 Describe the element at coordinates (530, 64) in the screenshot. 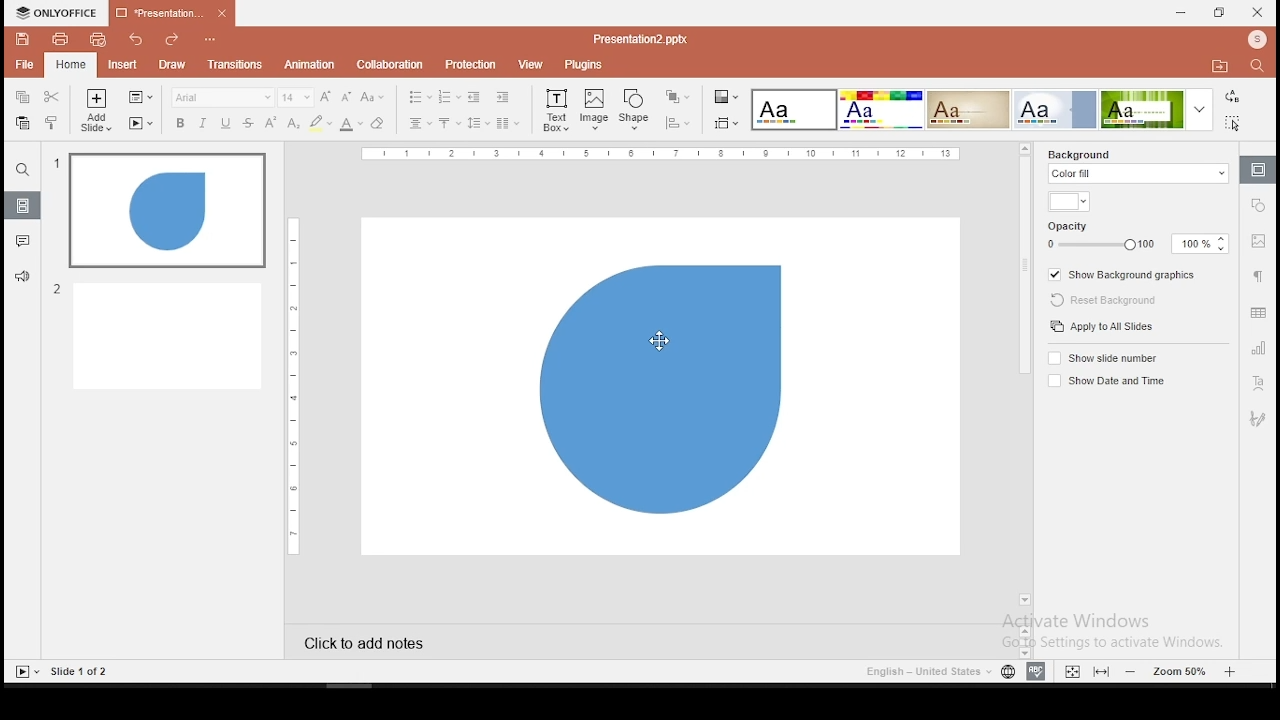

I see `view` at that location.